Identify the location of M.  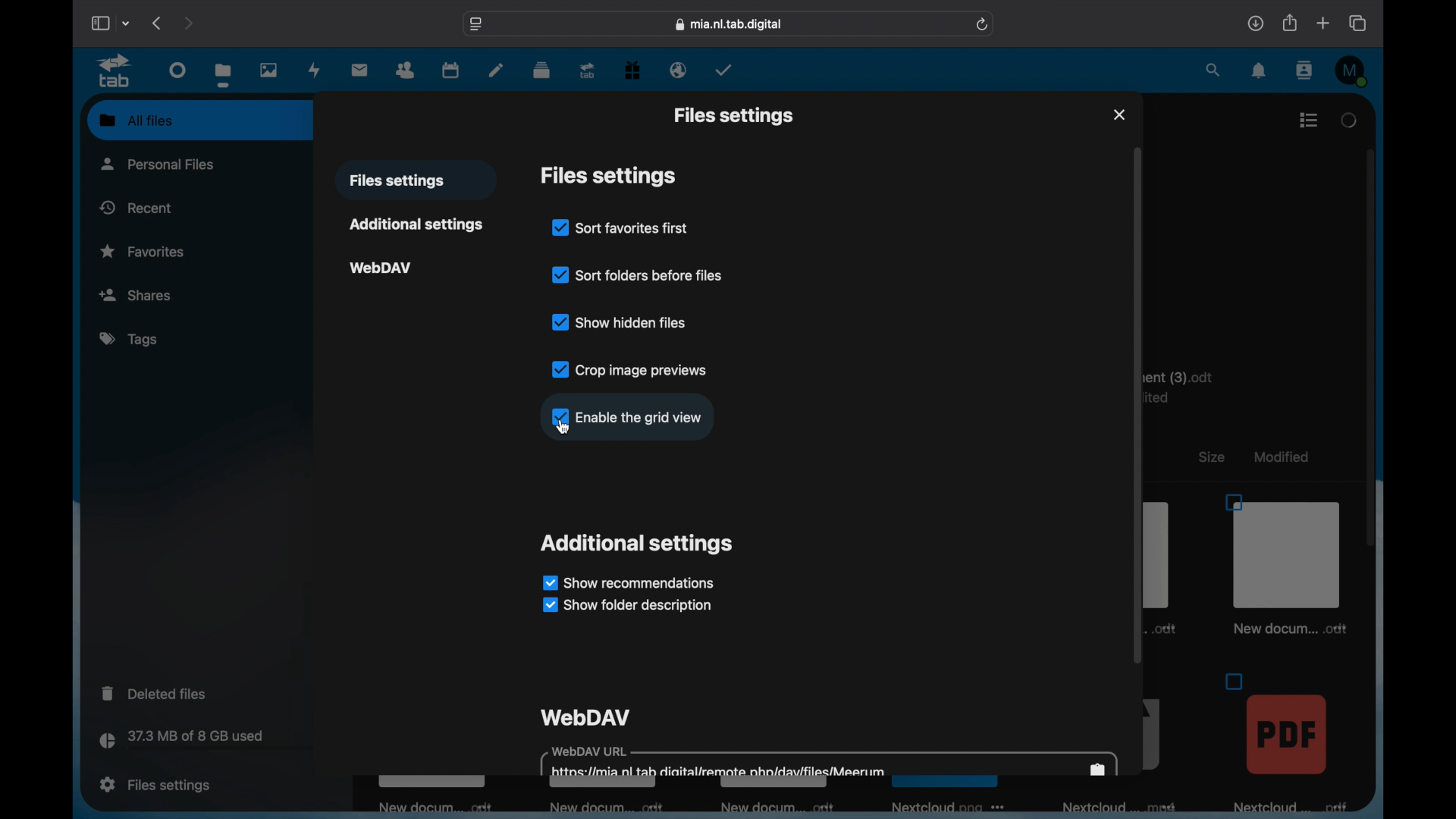
(1352, 71).